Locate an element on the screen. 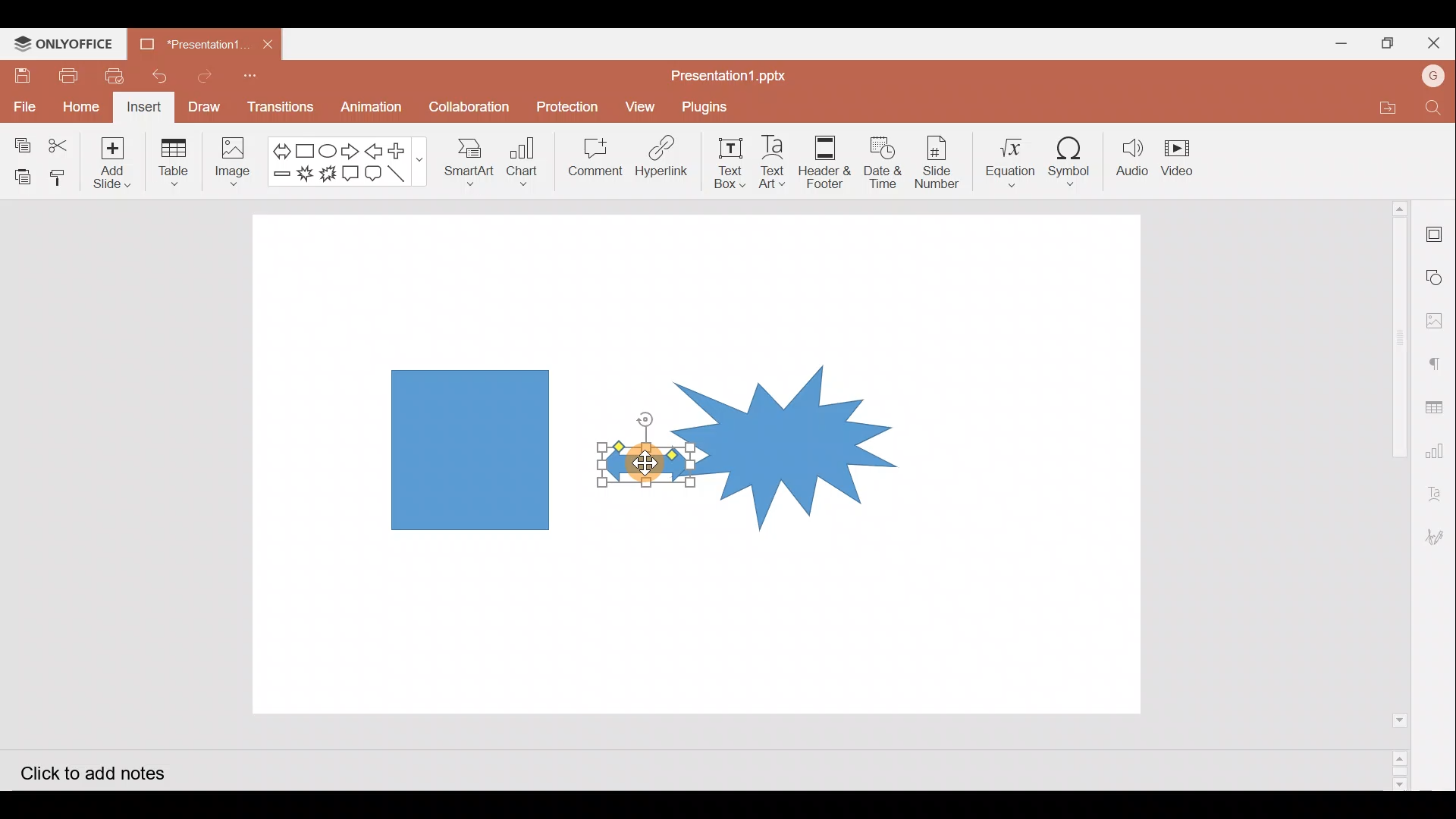 This screenshot has width=1456, height=819. Copy style is located at coordinates (63, 177).